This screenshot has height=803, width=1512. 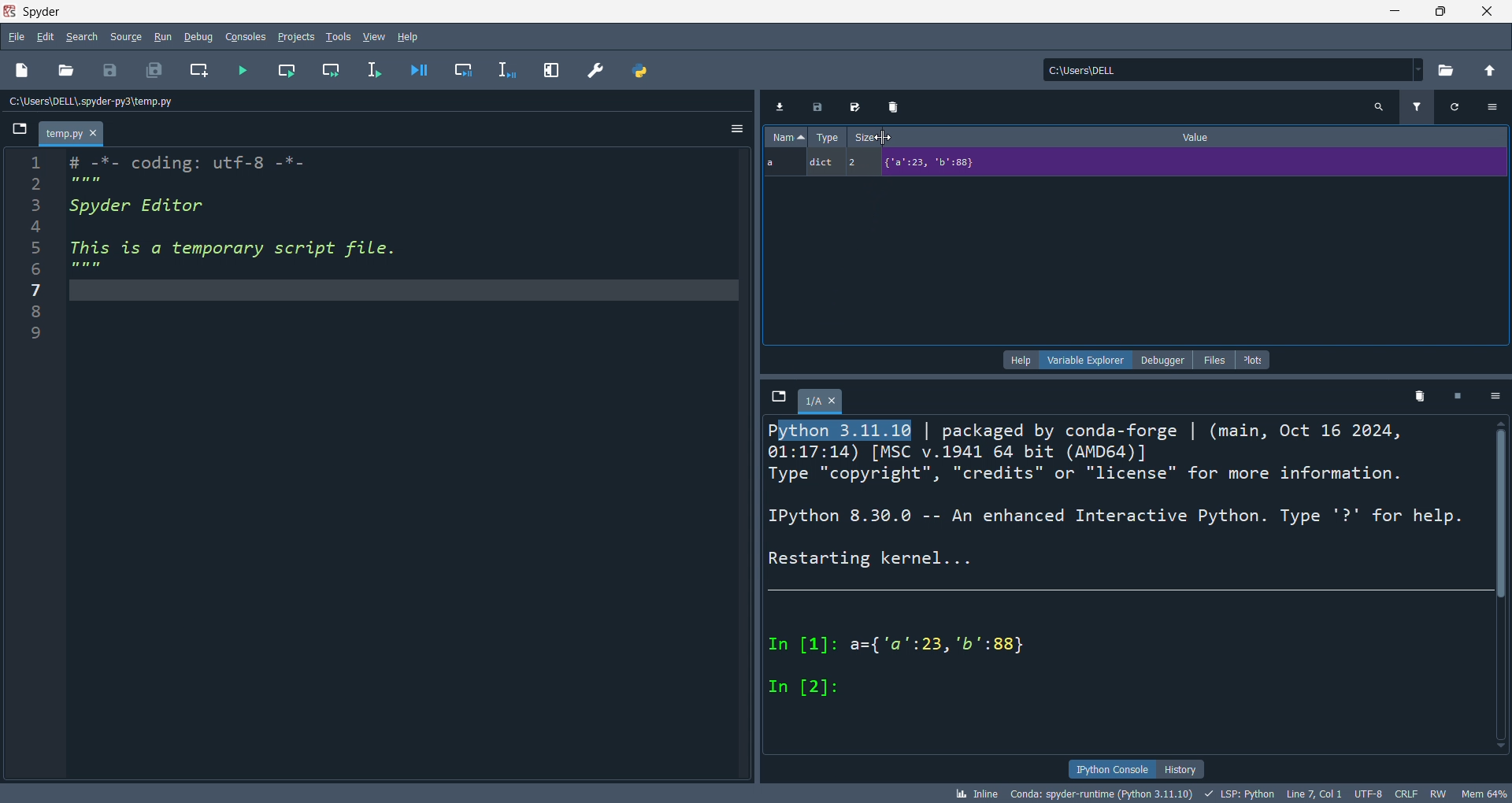 I want to click on file data, so click(x=756, y=794).